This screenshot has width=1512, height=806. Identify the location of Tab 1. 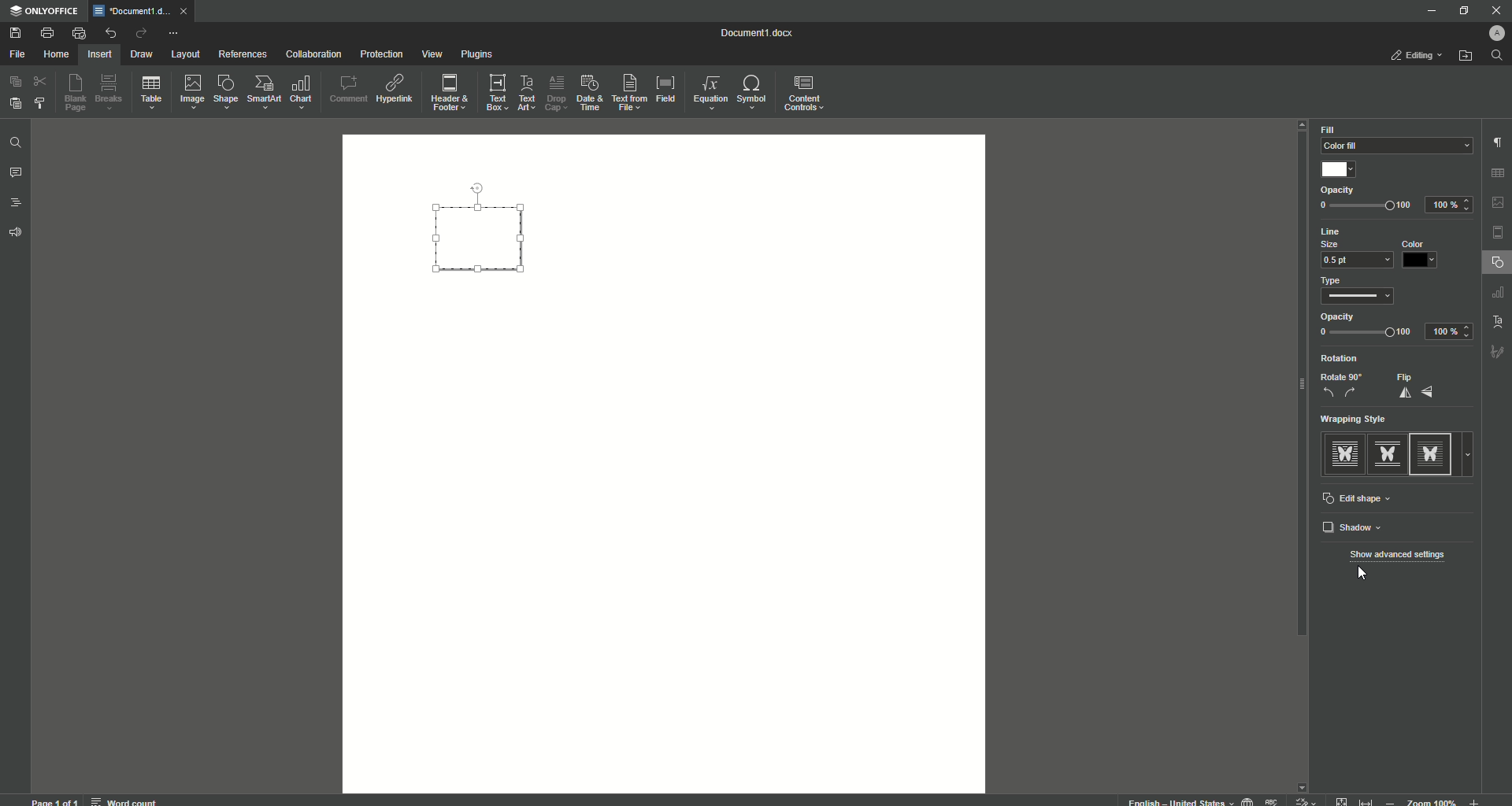
(134, 11).